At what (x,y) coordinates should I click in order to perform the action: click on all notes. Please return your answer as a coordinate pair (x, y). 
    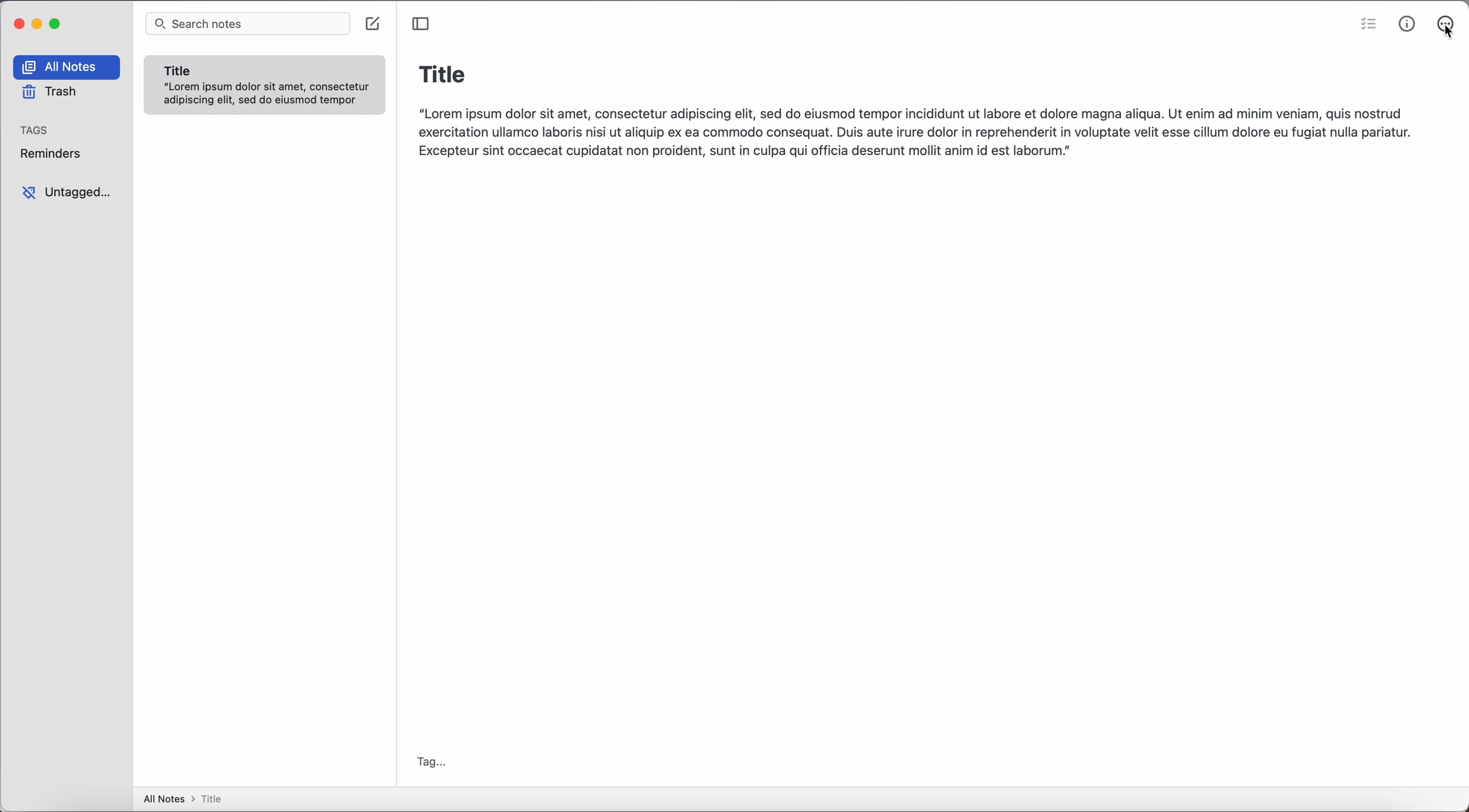
    Looking at the image, I should click on (69, 67).